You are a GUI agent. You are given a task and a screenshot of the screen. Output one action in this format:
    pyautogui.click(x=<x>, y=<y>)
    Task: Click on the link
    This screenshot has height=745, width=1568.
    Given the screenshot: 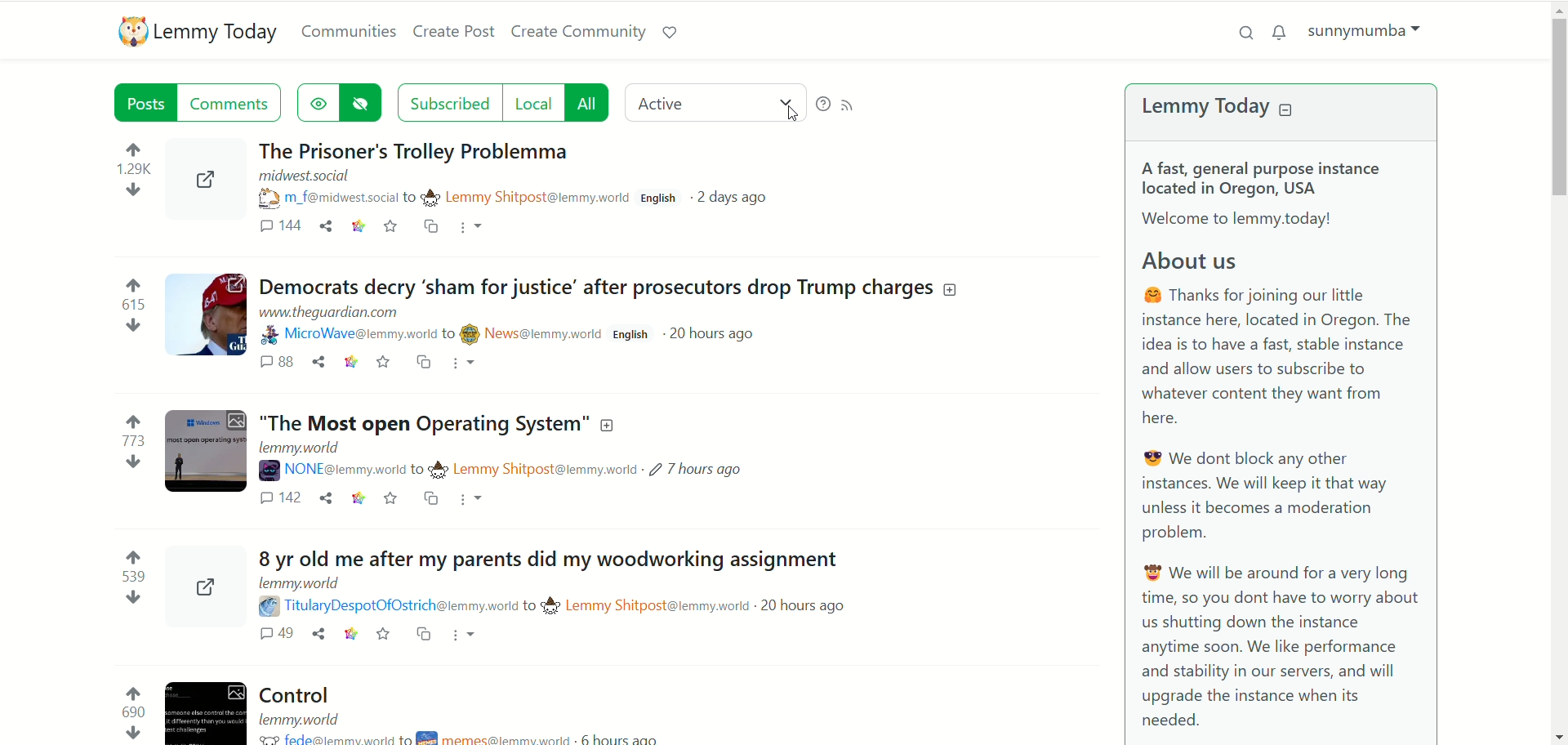 What is the action you would take?
    pyautogui.click(x=357, y=225)
    